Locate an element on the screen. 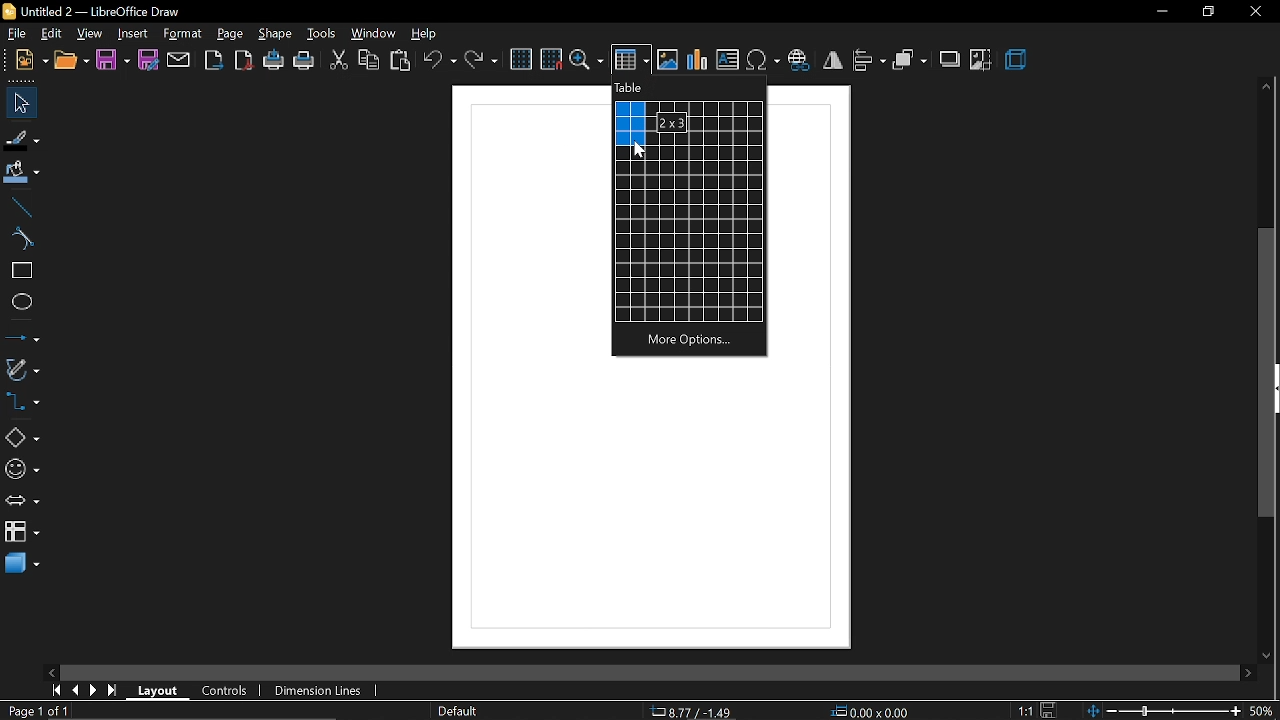 The width and height of the screenshot is (1280, 720). select is located at coordinates (18, 104).